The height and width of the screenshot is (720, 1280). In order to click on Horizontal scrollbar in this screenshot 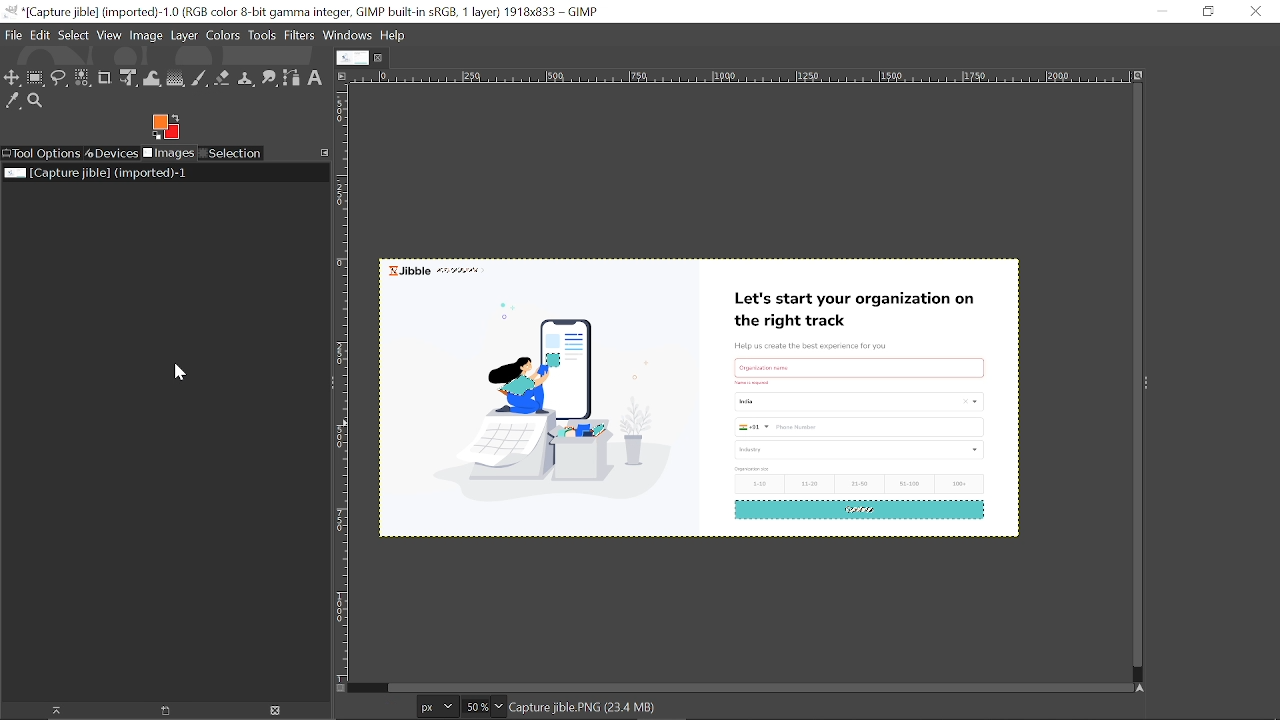, I will do `click(756, 686)`.